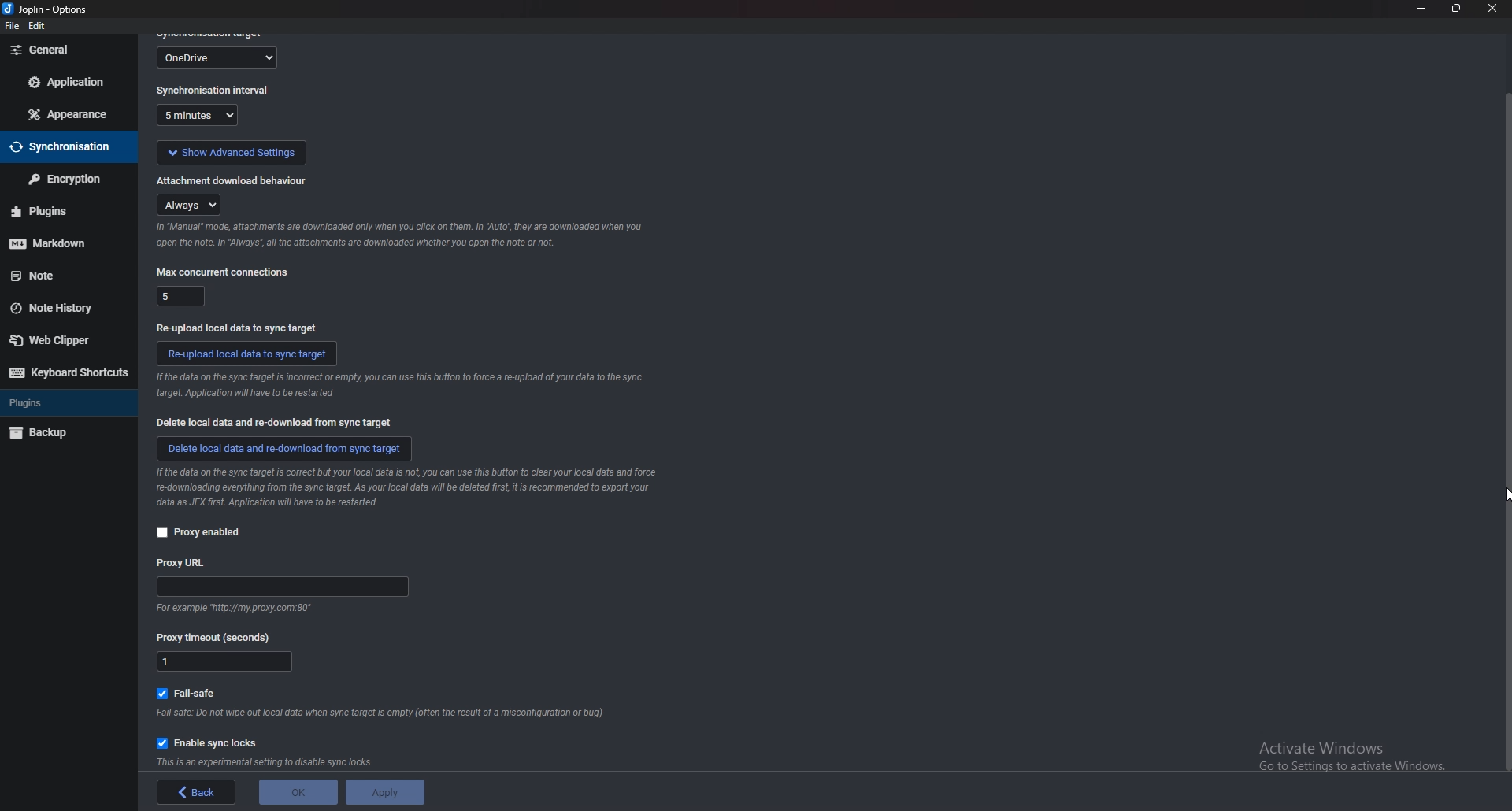 This screenshot has width=1512, height=811. What do you see at coordinates (219, 56) in the screenshot?
I see `sync target` at bounding box center [219, 56].